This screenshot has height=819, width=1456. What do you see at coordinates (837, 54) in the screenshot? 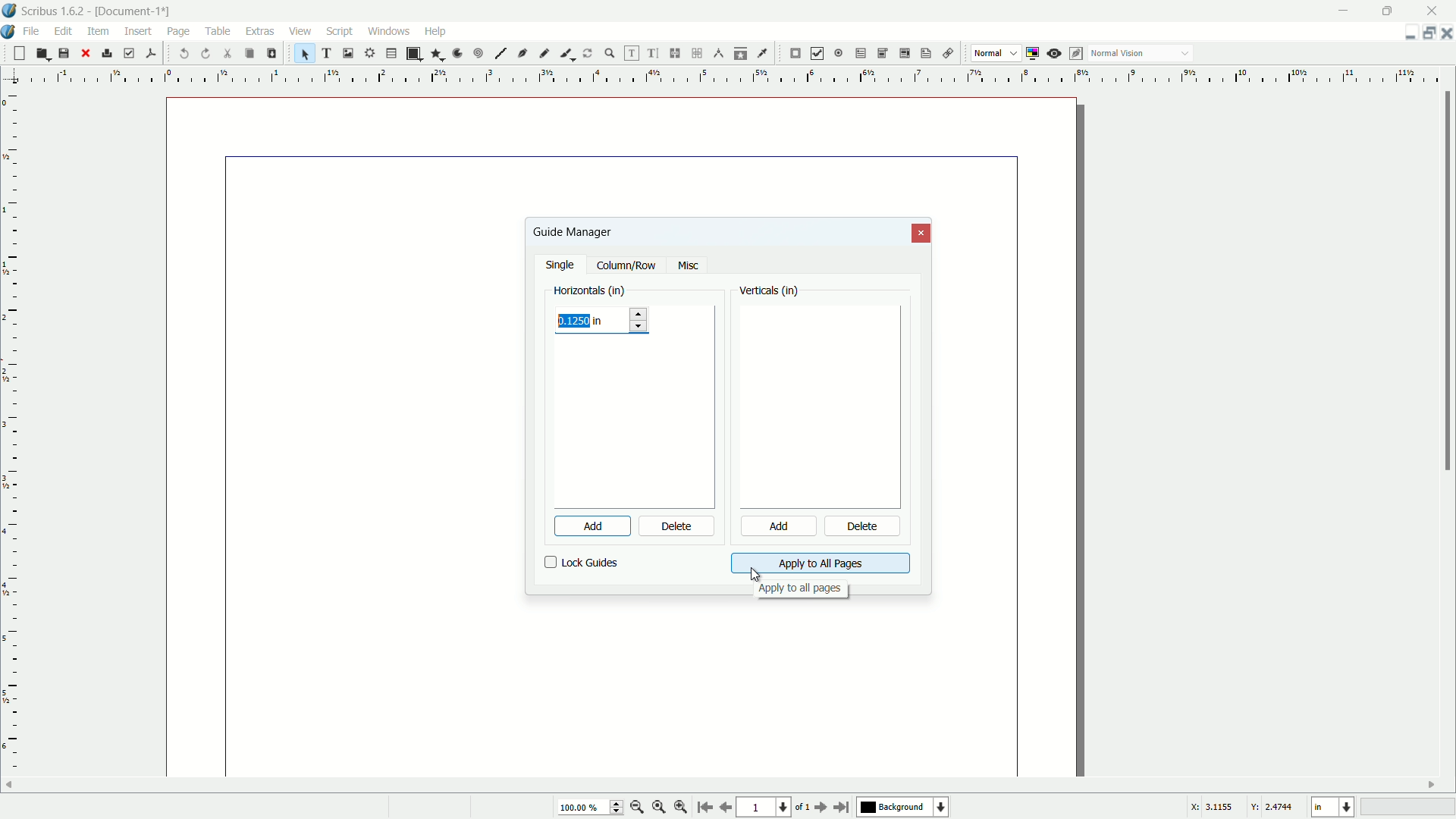
I see `pdf radio button` at bounding box center [837, 54].